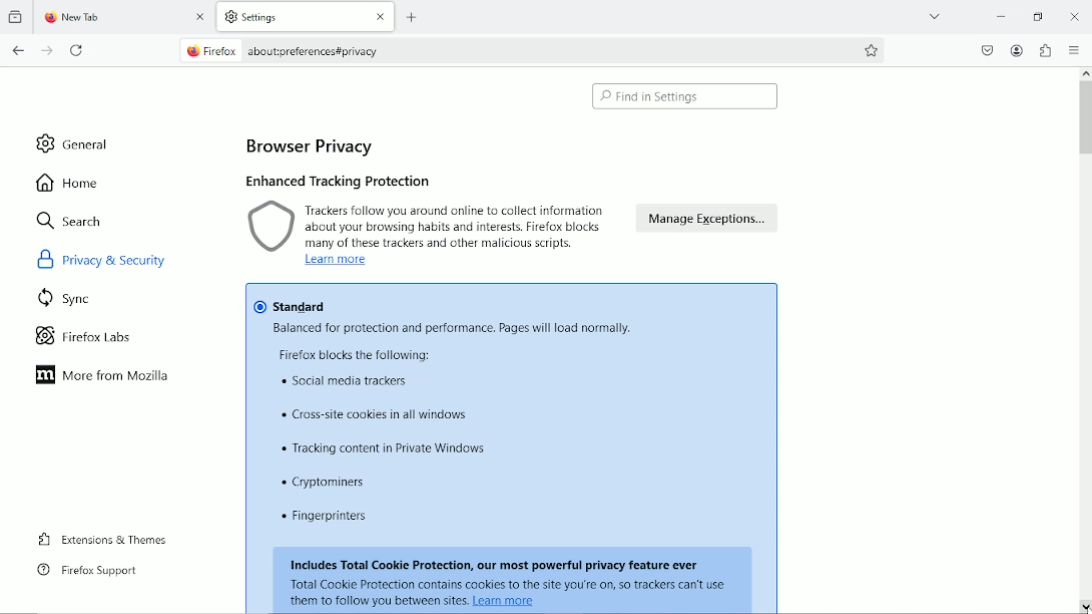 This screenshot has height=614, width=1092. I want to click on home, so click(69, 182).